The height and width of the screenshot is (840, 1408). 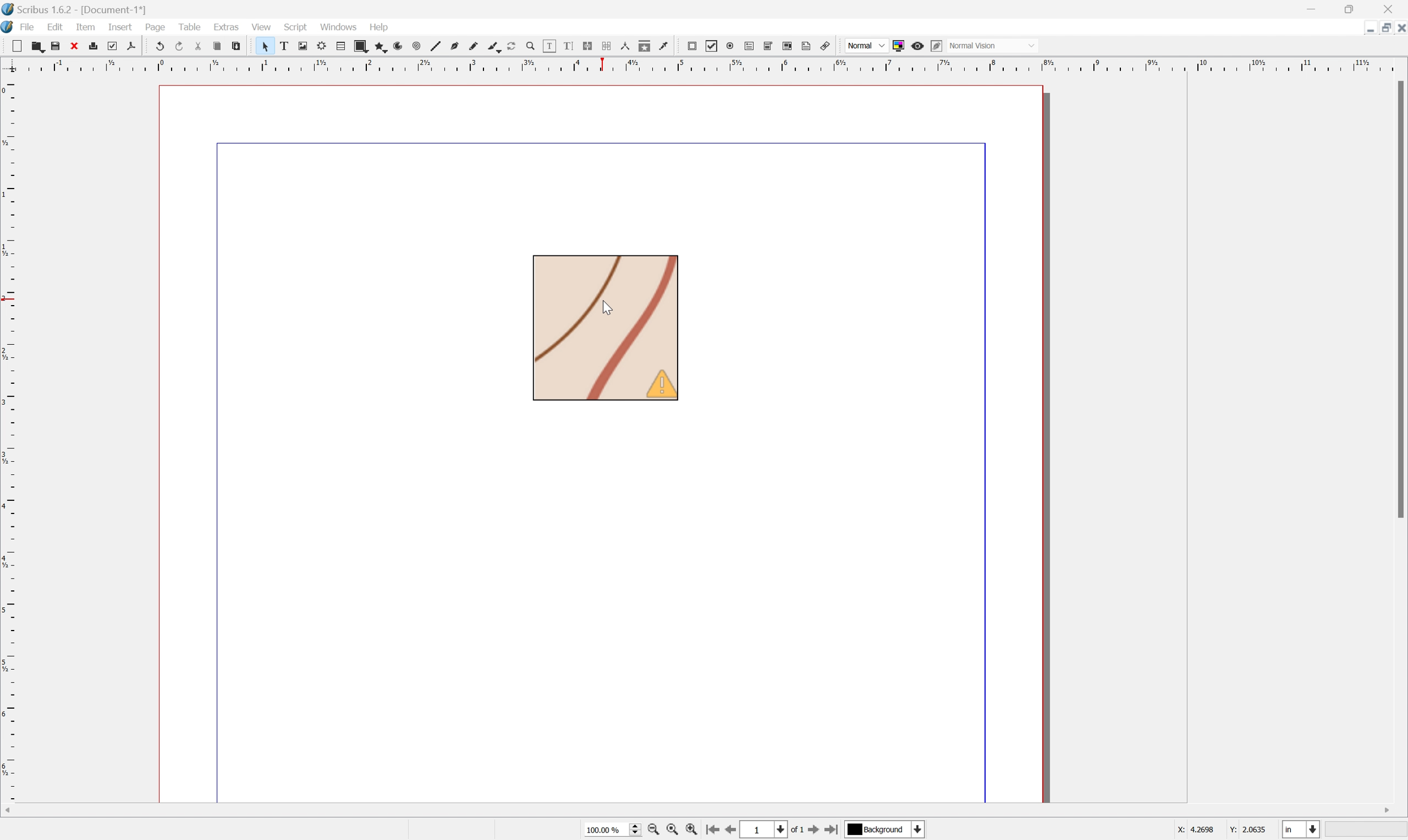 I want to click on Save as PDF, so click(x=137, y=46).